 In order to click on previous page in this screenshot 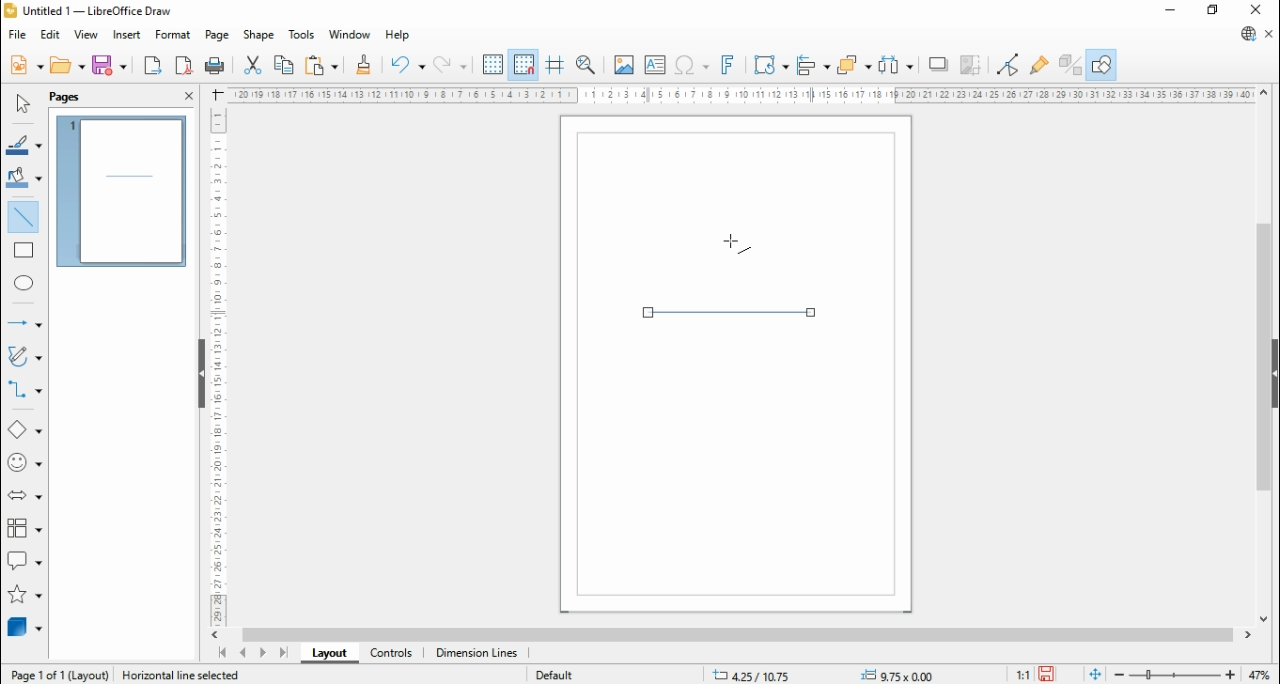, I will do `click(242, 653)`.